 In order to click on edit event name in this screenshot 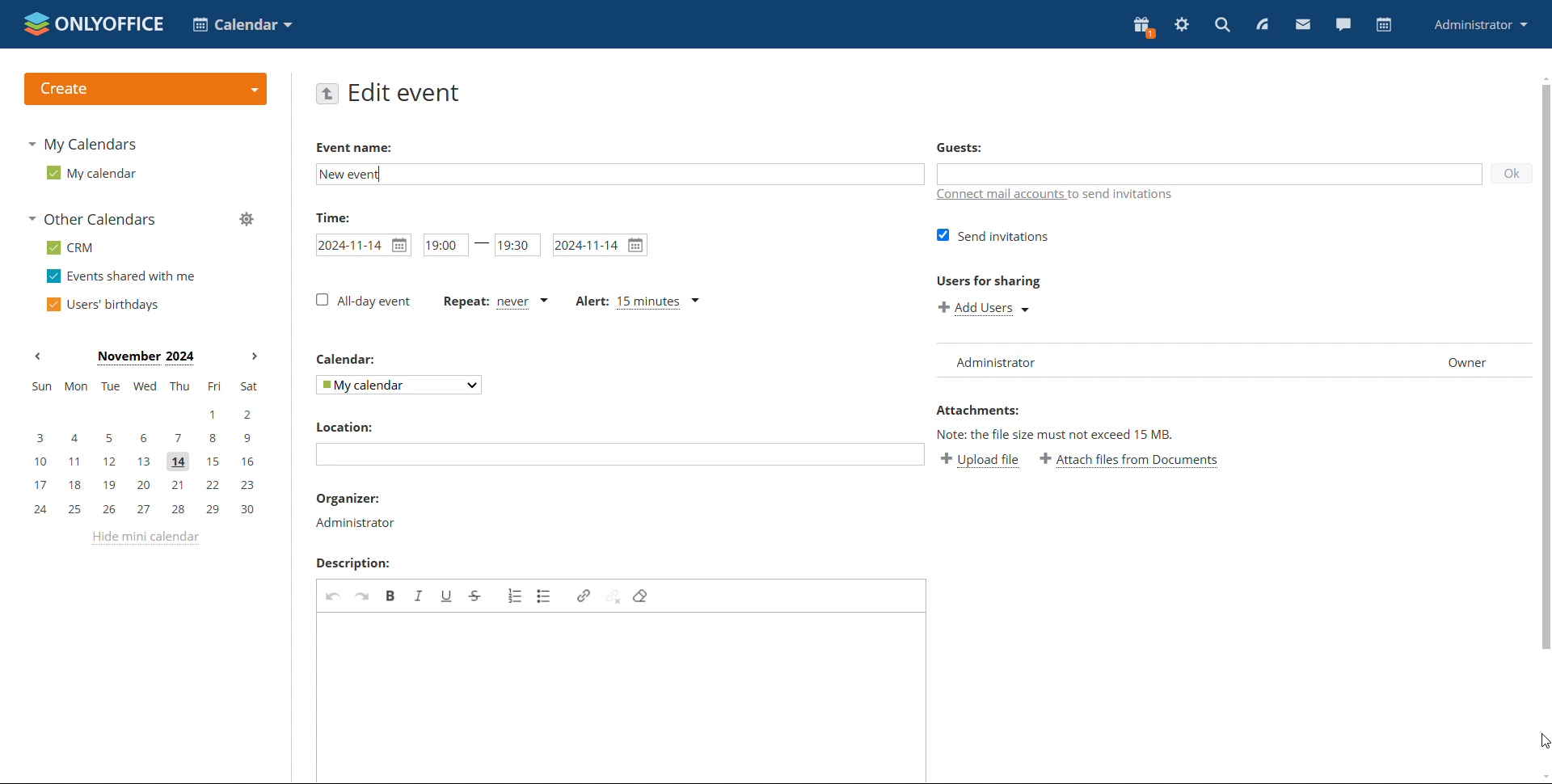, I will do `click(615, 173)`.